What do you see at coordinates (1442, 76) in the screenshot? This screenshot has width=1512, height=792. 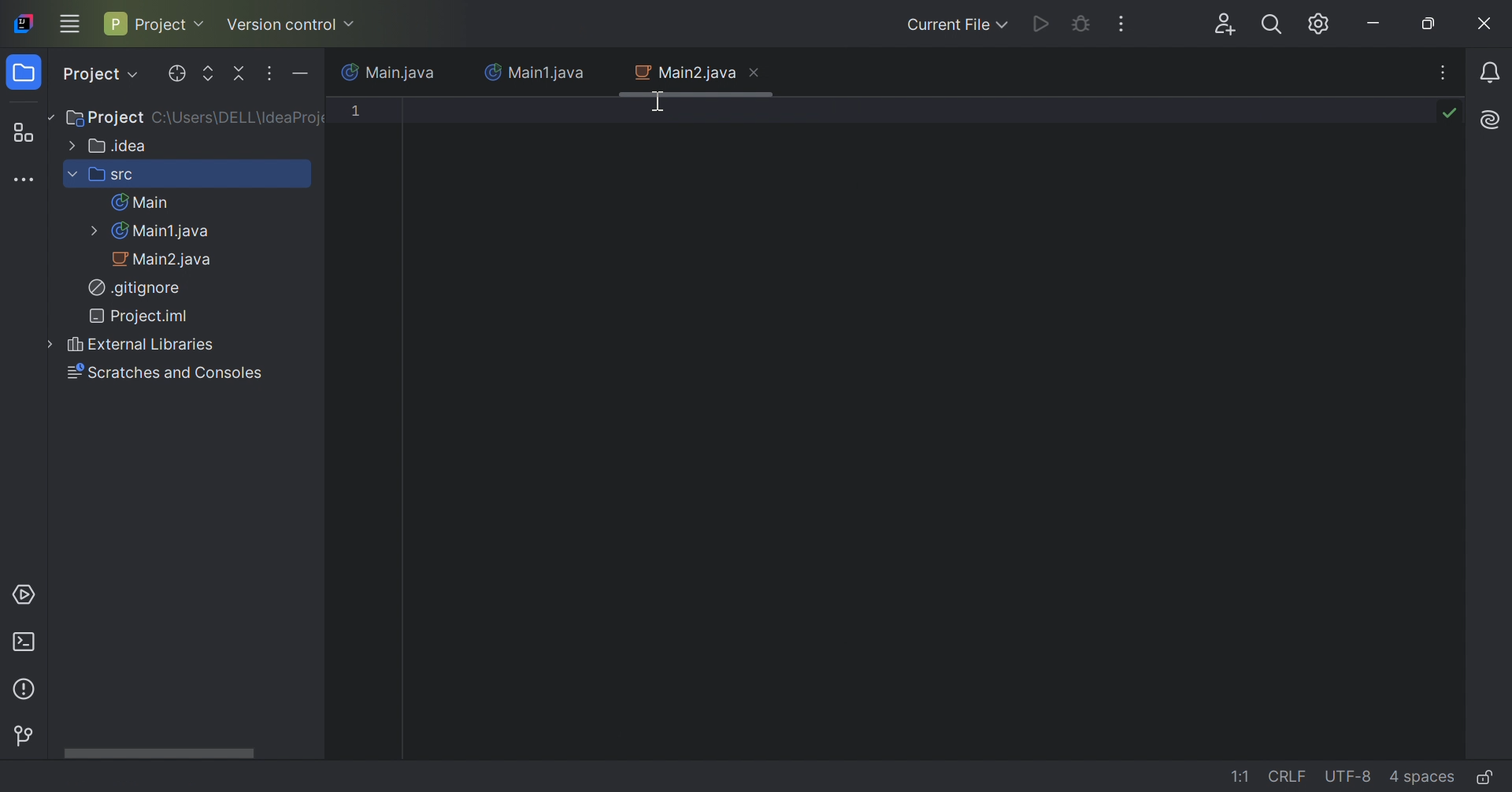 I see `Recent Files, Tab Actions, and More` at bounding box center [1442, 76].